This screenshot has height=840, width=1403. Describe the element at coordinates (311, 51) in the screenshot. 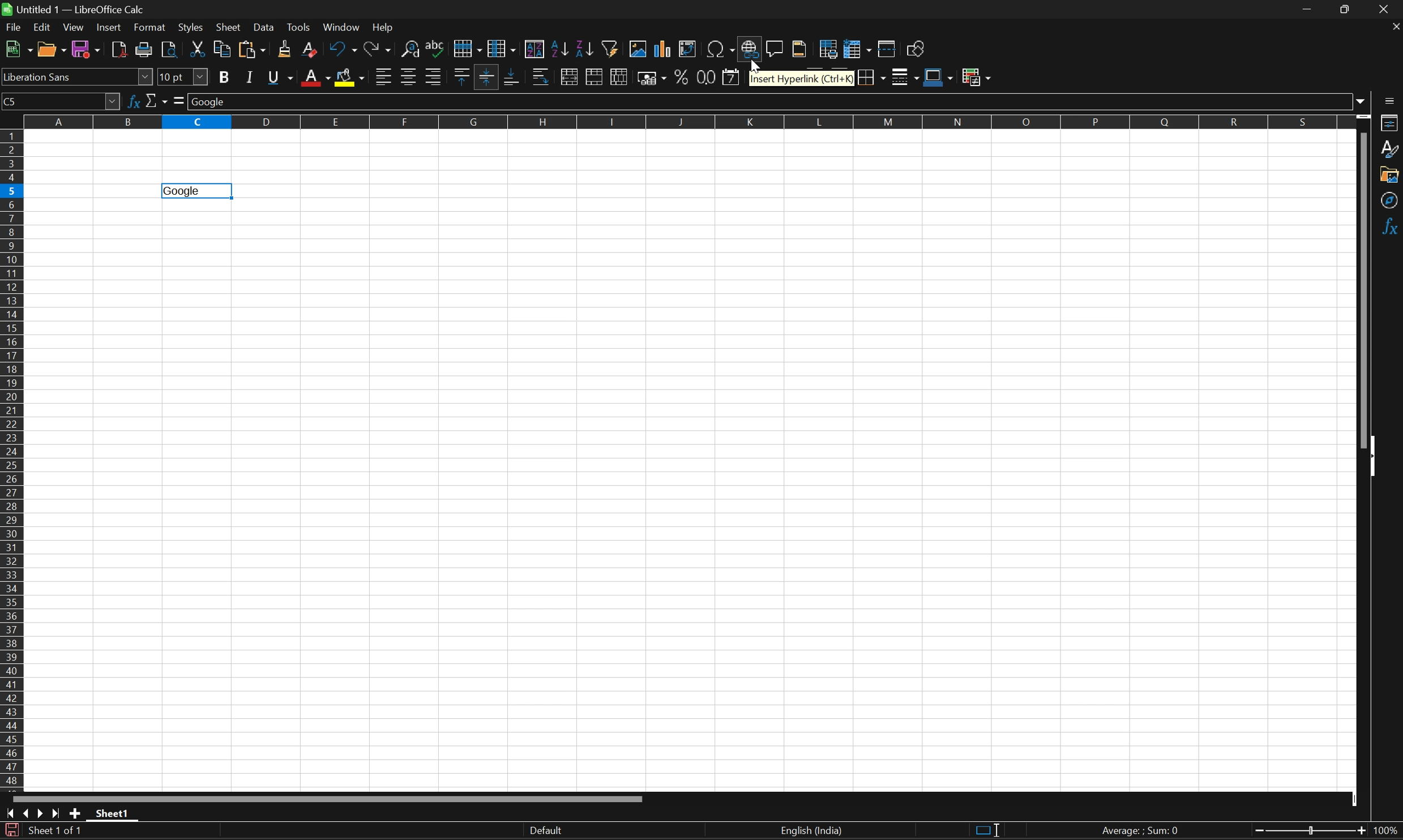

I see `Clear direct formatting` at that location.